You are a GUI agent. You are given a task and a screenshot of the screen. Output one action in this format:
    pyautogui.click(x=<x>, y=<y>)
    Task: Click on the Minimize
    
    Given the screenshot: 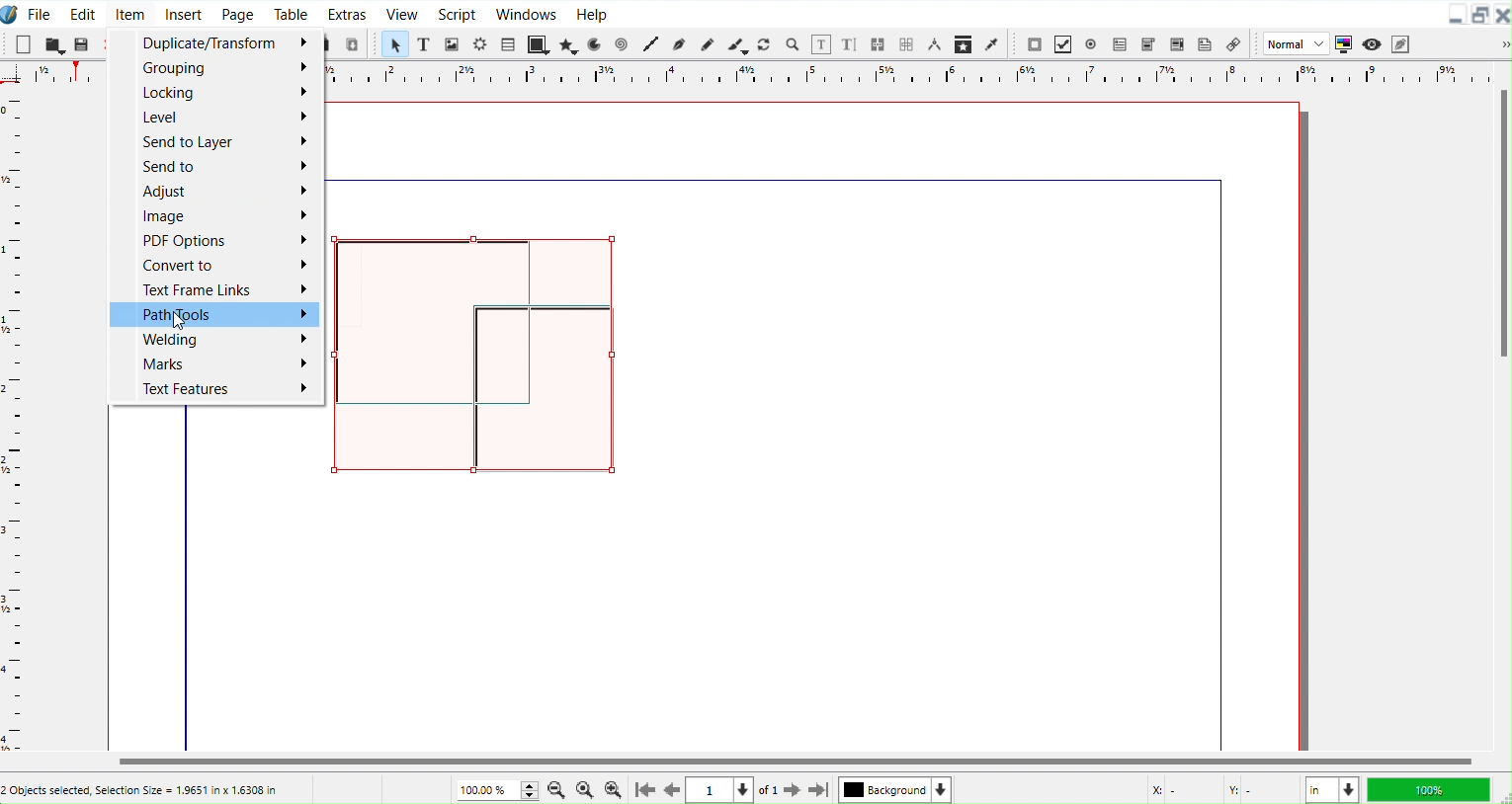 What is the action you would take?
    pyautogui.click(x=1458, y=13)
    